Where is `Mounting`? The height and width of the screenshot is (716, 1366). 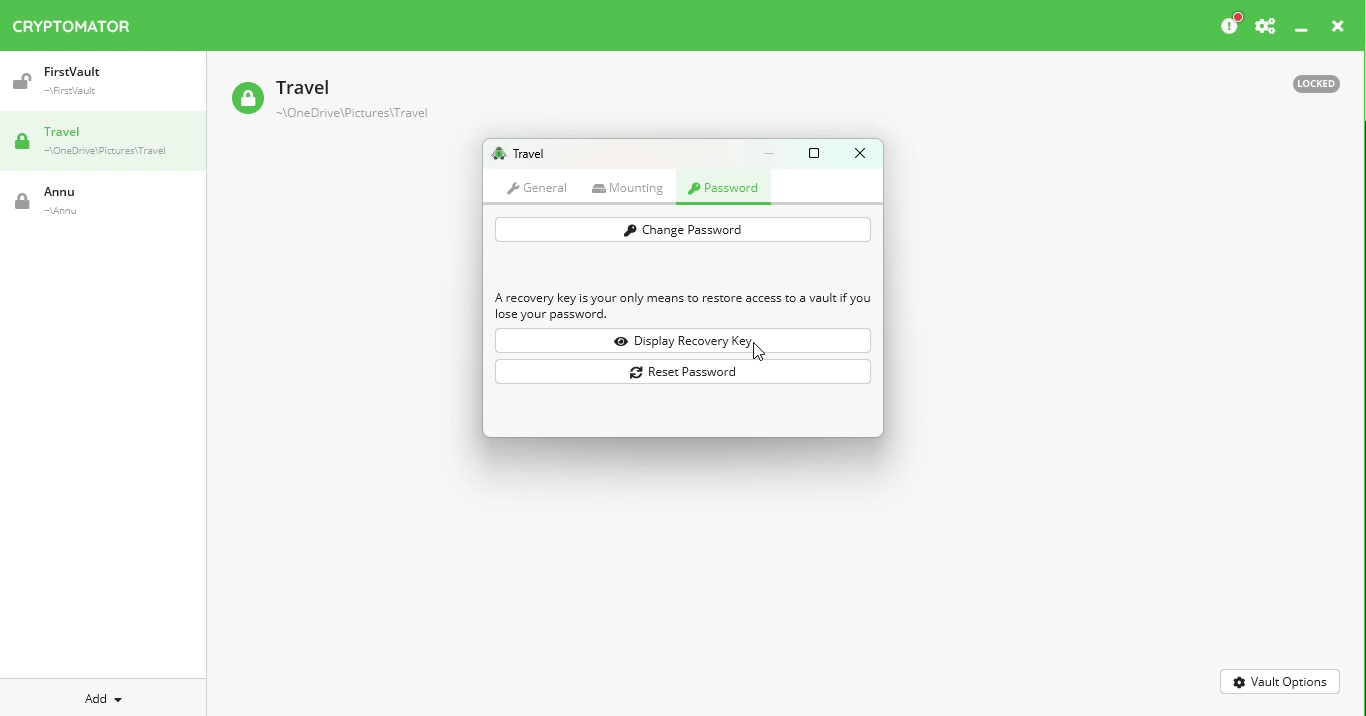 Mounting is located at coordinates (632, 188).